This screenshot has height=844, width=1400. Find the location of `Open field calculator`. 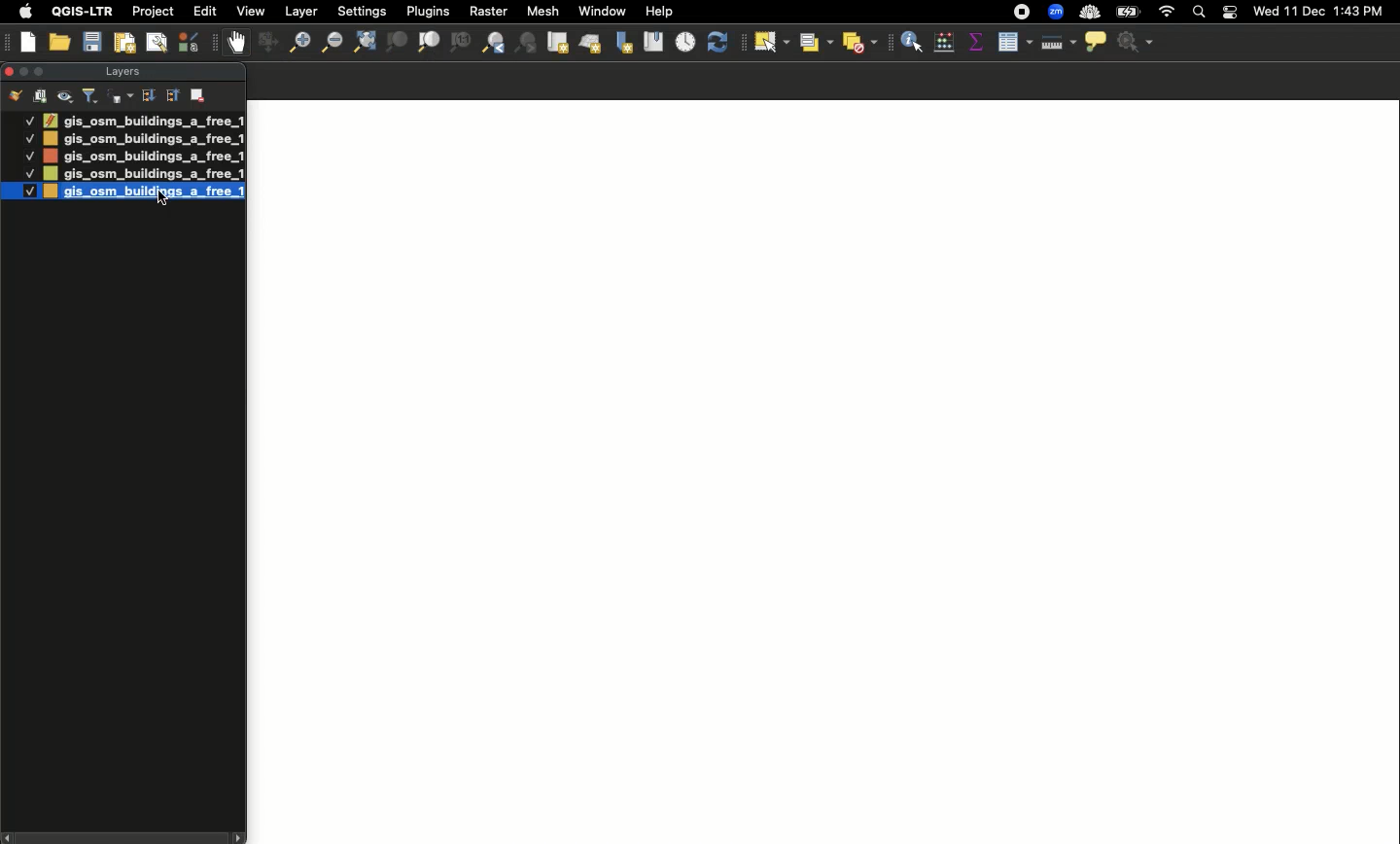

Open field calculator is located at coordinates (944, 42).